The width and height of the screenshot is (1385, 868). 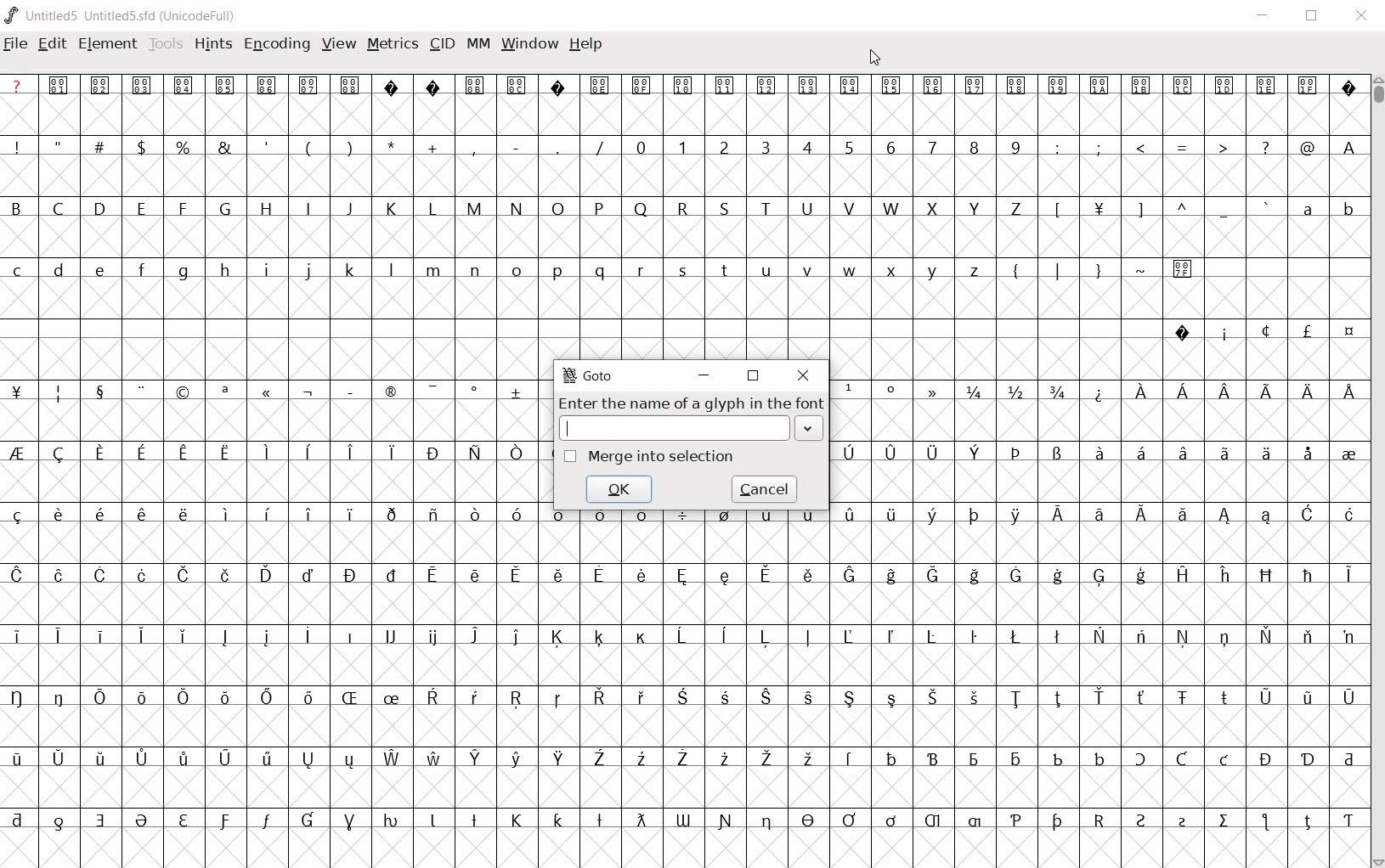 I want to click on Symbol, so click(x=1224, y=86).